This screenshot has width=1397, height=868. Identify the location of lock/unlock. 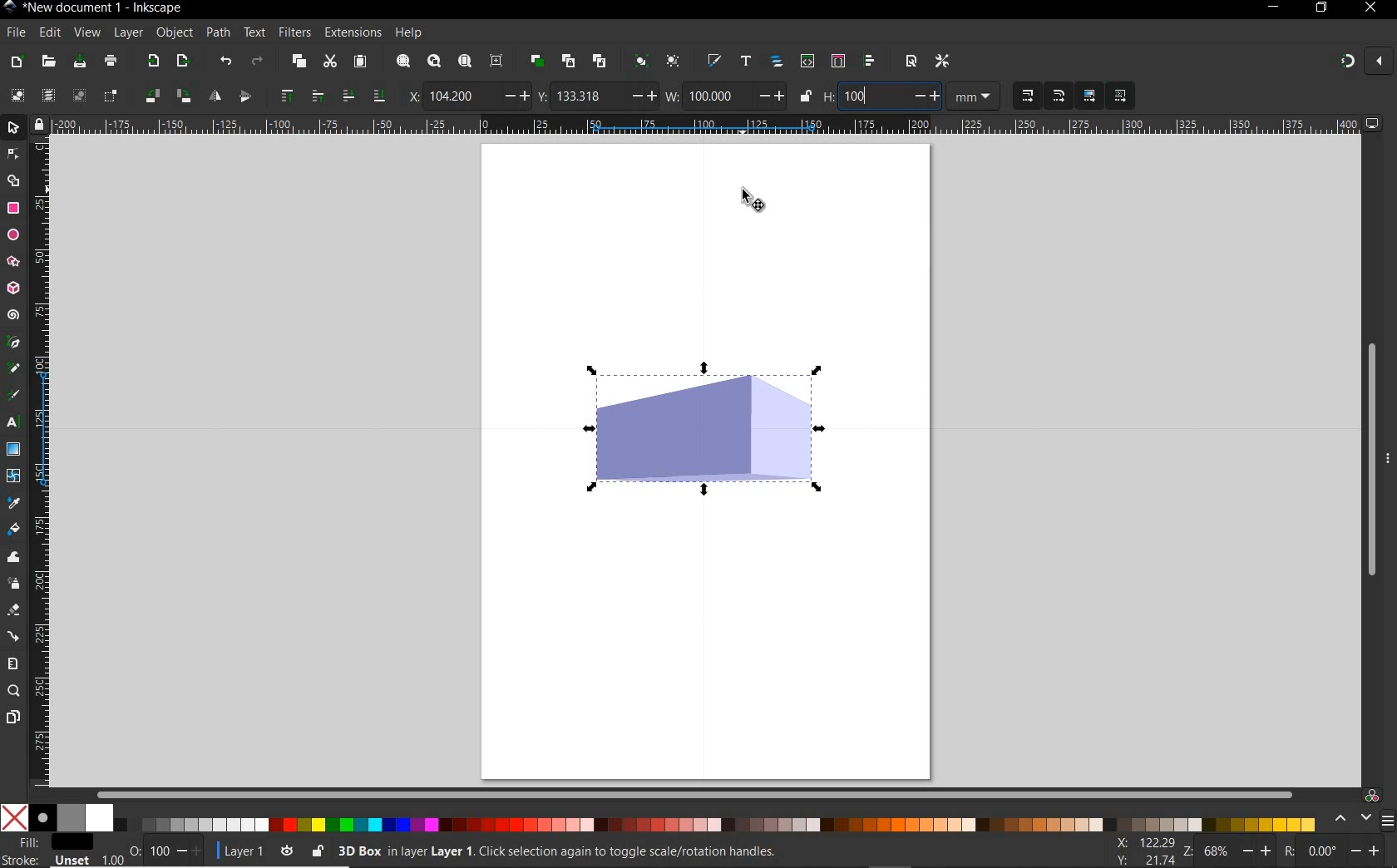
(806, 96).